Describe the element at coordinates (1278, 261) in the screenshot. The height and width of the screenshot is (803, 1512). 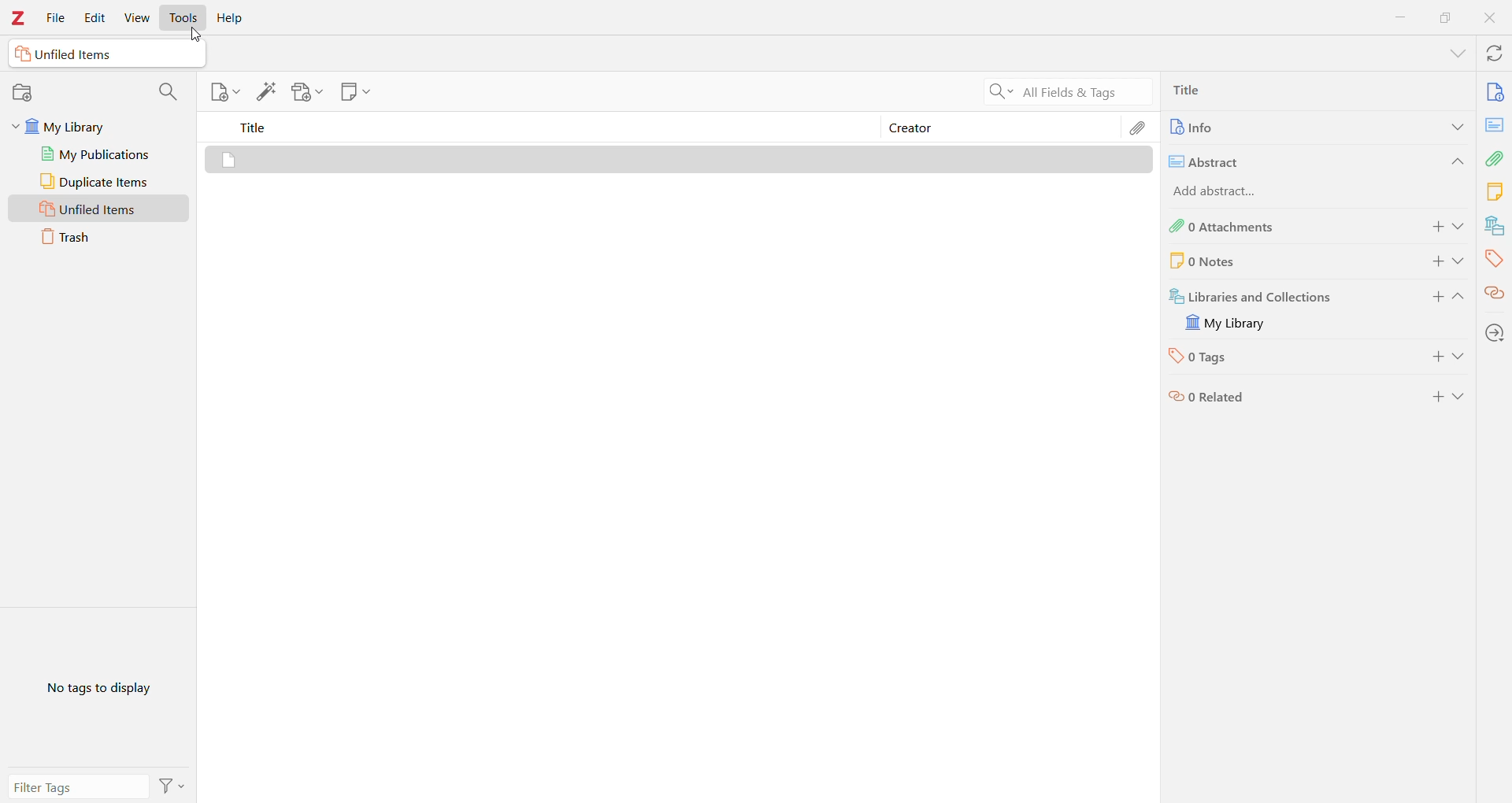
I see `` at that location.